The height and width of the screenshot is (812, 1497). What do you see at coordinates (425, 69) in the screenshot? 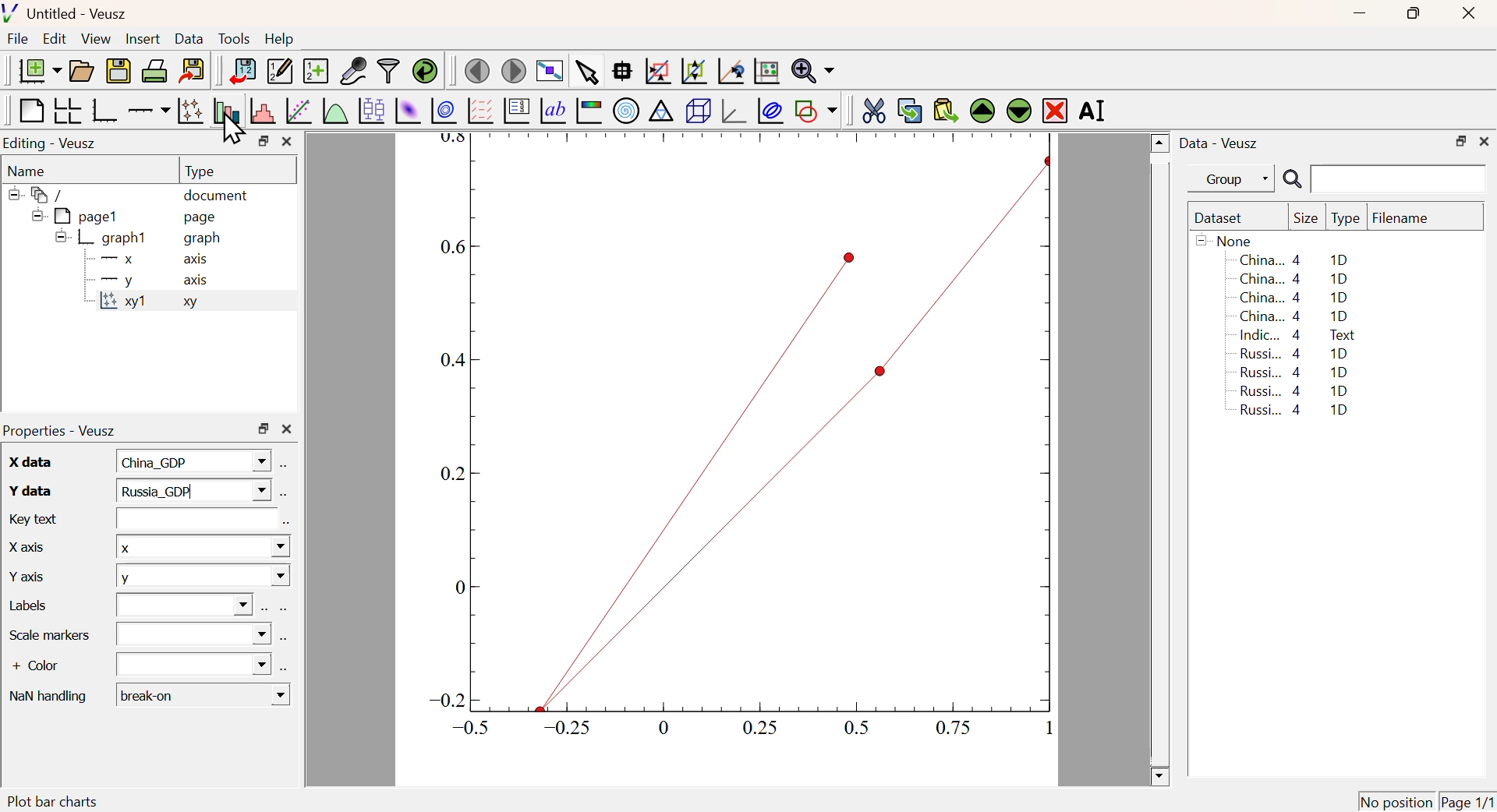
I see `Reload linked dataset` at bounding box center [425, 69].